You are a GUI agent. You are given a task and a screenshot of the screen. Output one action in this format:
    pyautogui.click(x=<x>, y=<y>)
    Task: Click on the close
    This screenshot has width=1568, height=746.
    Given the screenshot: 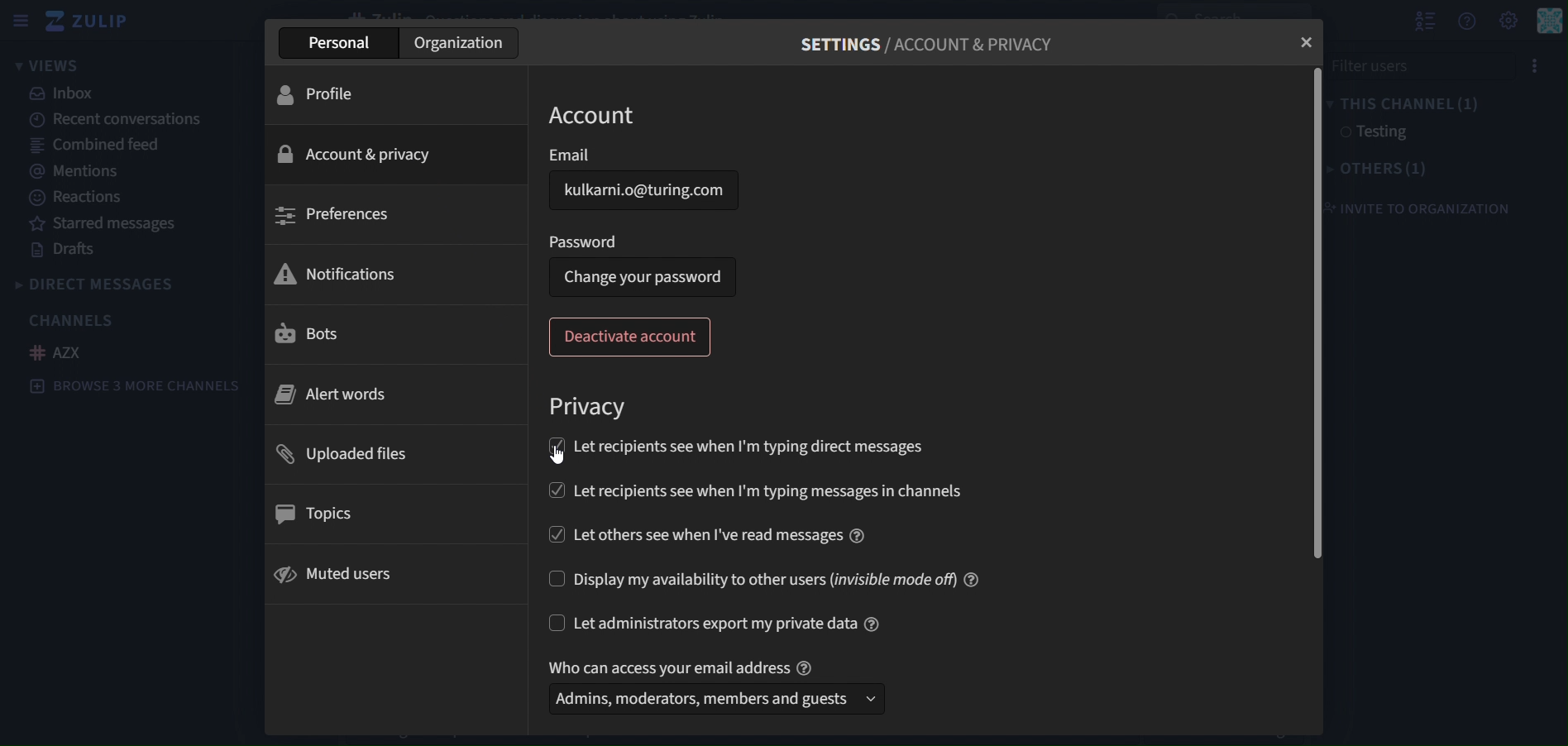 What is the action you would take?
    pyautogui.click(x=1294, y=42)
    